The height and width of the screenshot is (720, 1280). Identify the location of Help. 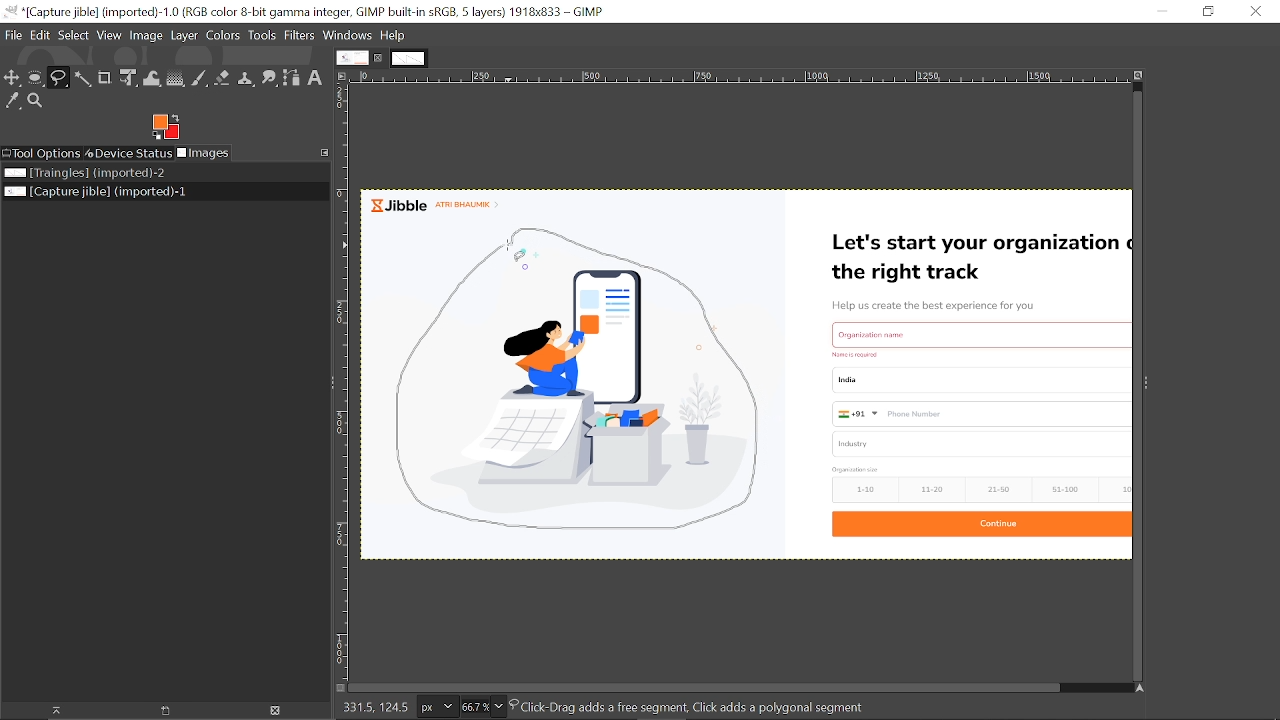
(393, 36).